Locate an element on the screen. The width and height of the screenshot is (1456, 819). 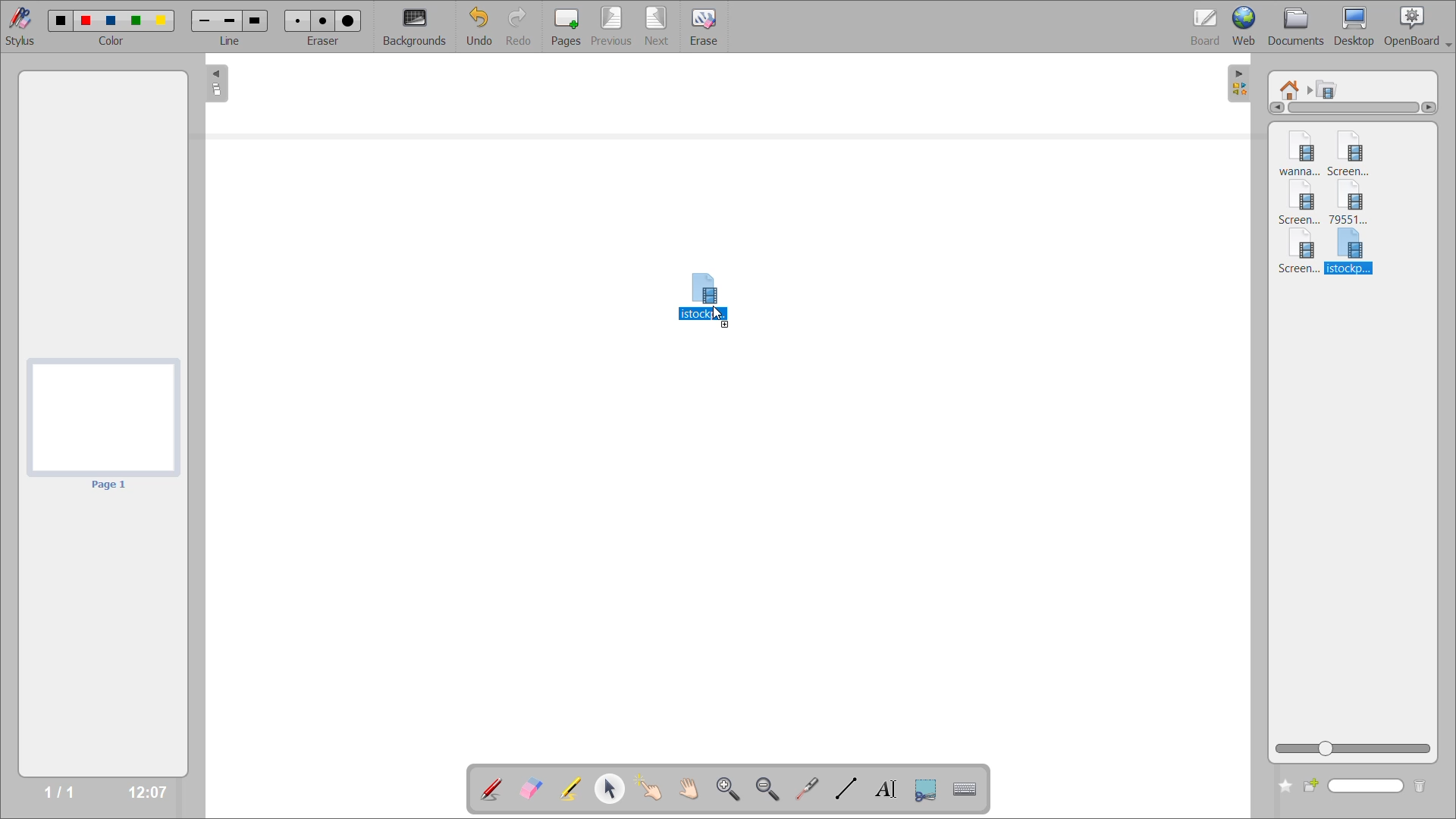
openboard is located at coordinates (1420, 24).